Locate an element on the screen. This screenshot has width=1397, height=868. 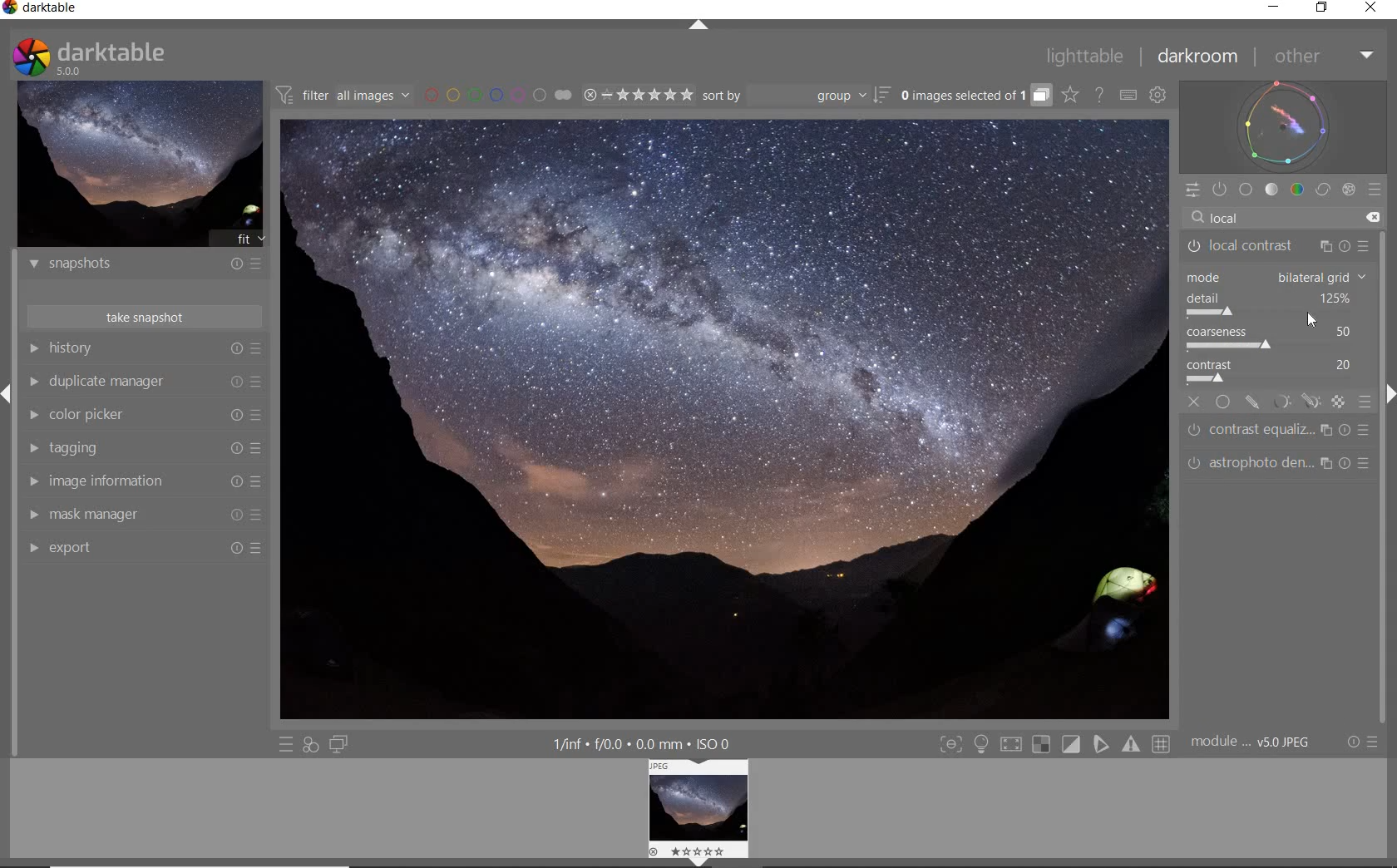
PRESETS is located at coordinates (1375, 192).